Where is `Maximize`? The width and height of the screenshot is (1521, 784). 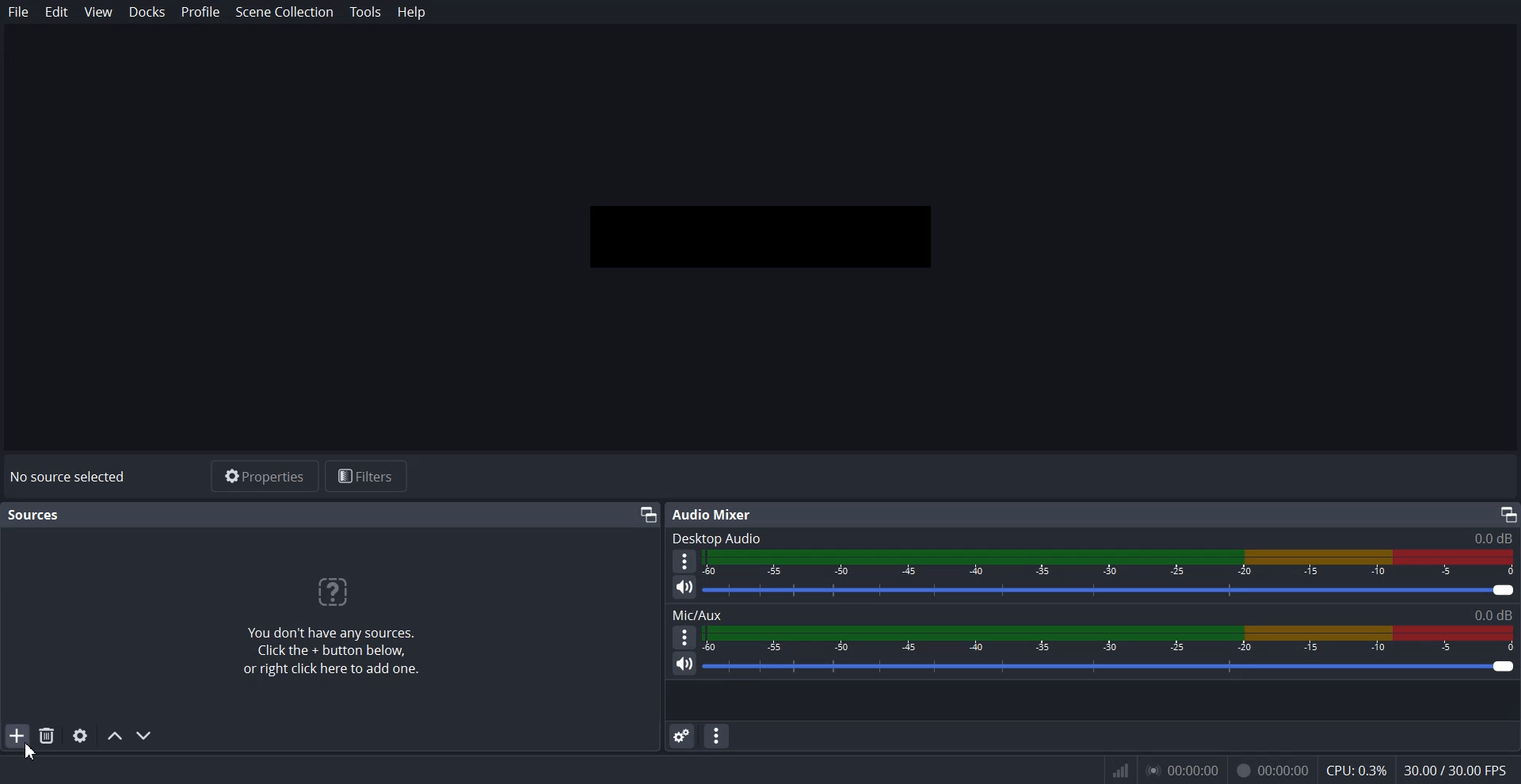 Maximize is located at coordinates (647, 515).